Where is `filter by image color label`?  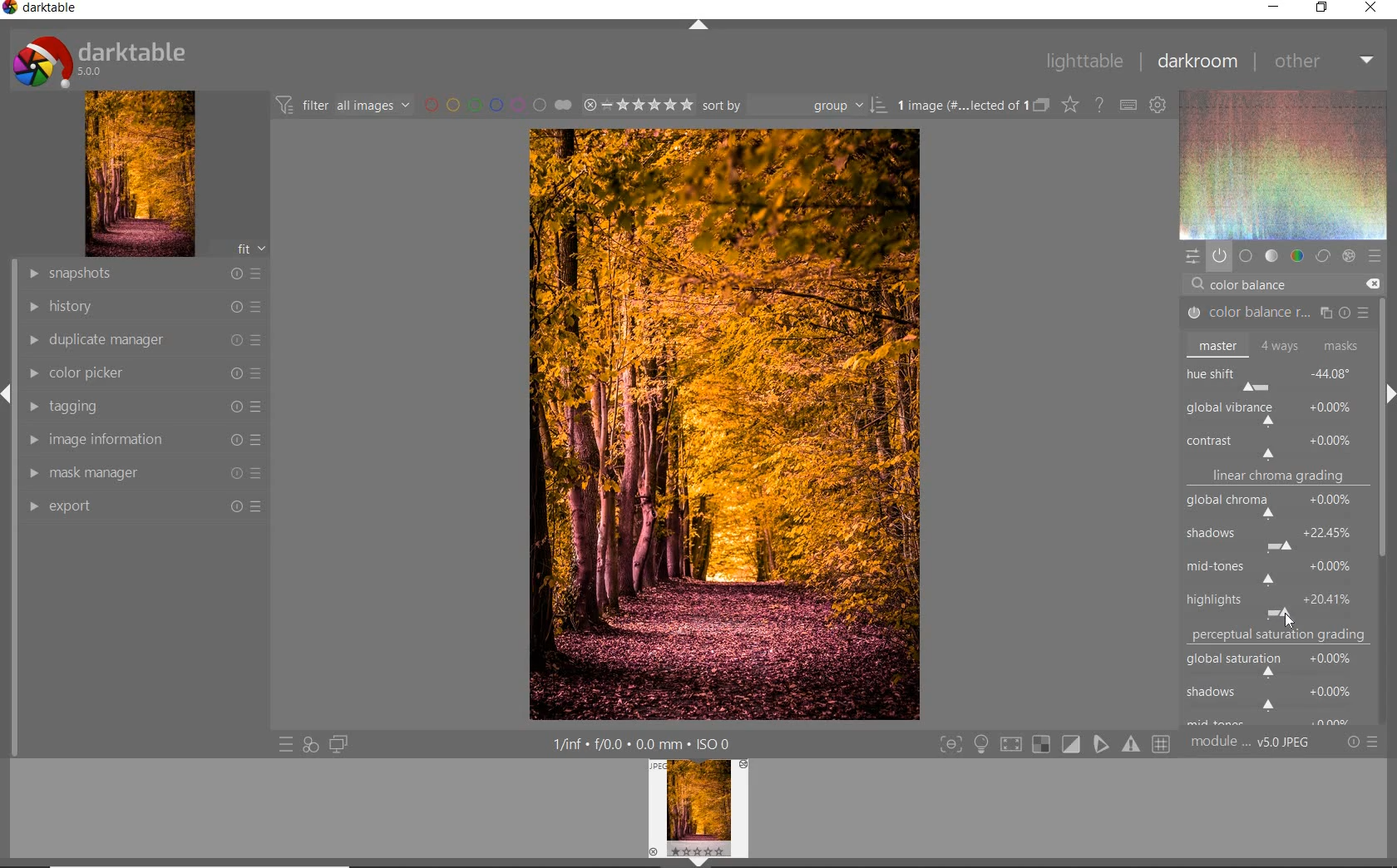
filter by image color label is located at coordinates (496, 105).